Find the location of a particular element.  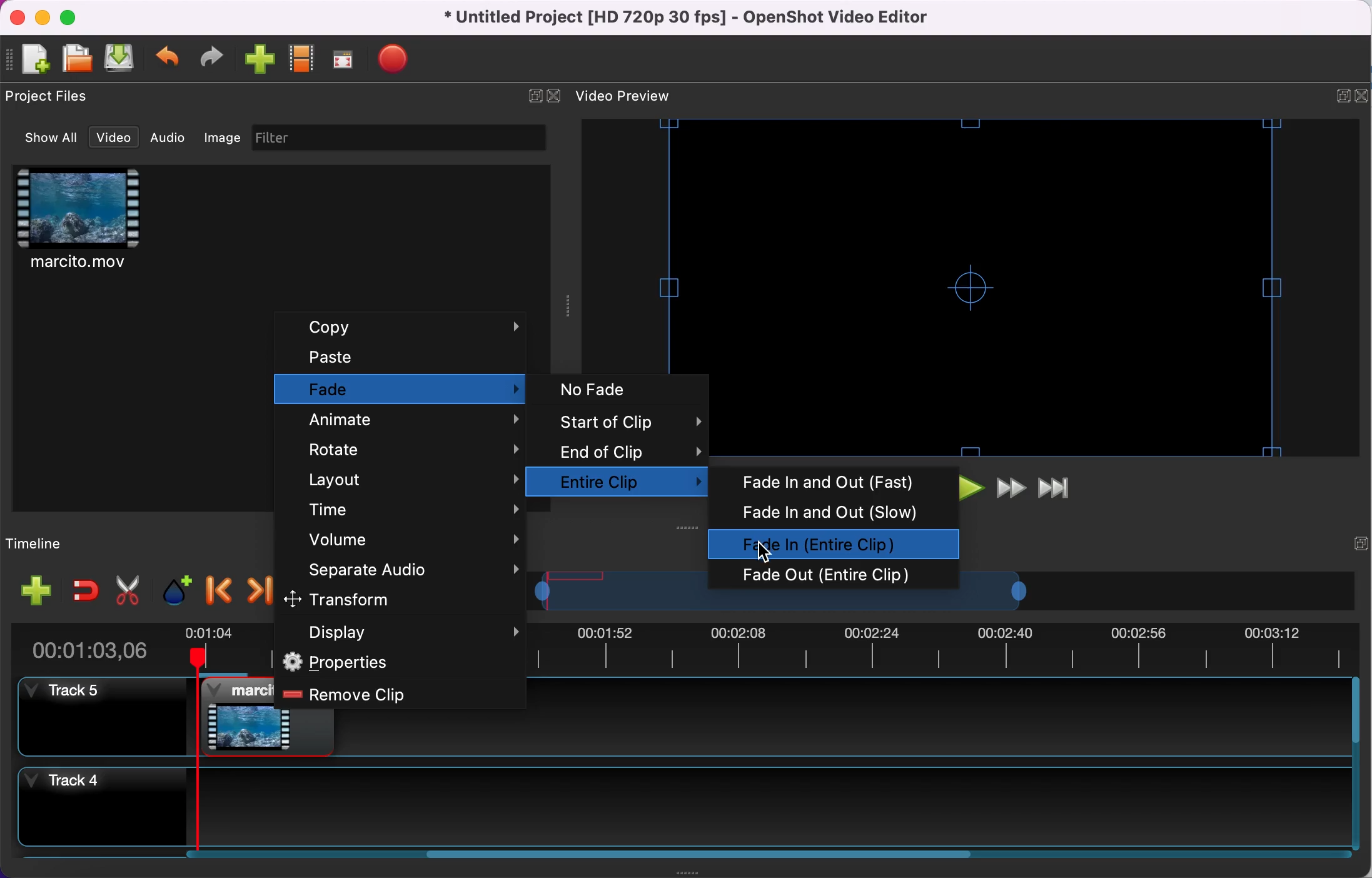

import file is located at coordinates (259, 59).